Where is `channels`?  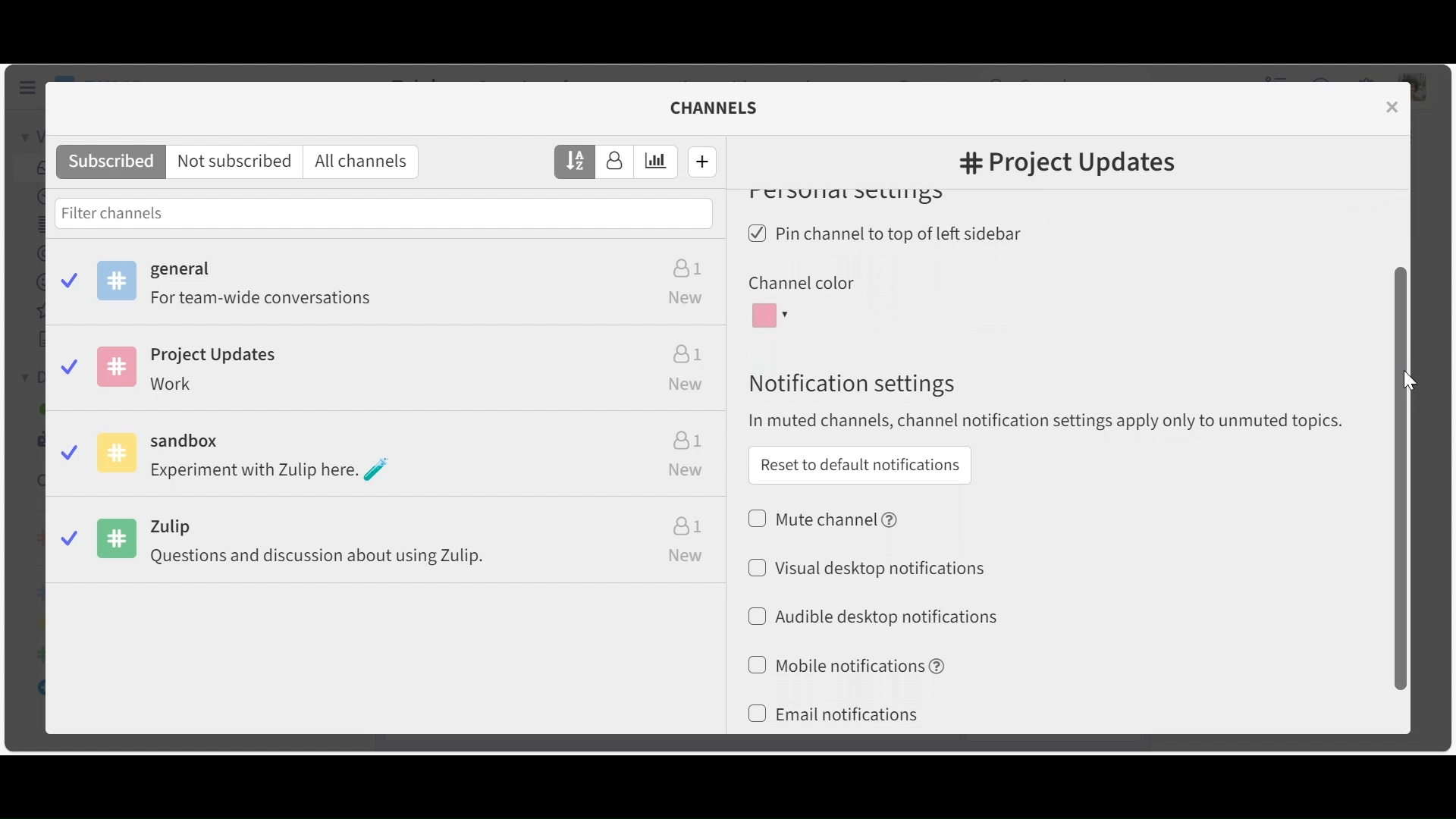 channels is located at coordinates (723, 108).